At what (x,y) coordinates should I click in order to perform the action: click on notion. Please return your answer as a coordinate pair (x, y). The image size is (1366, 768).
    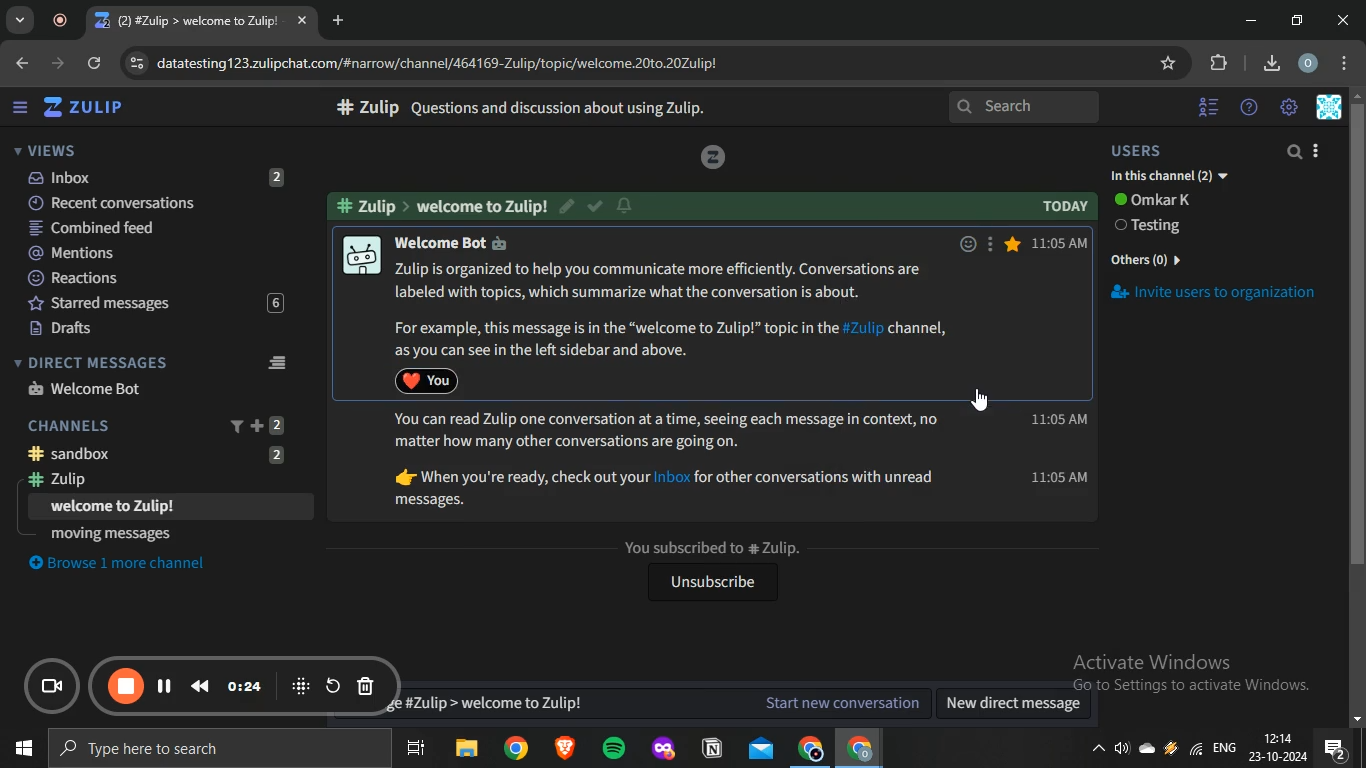
    Looking at the image, I should click on (714, 749).